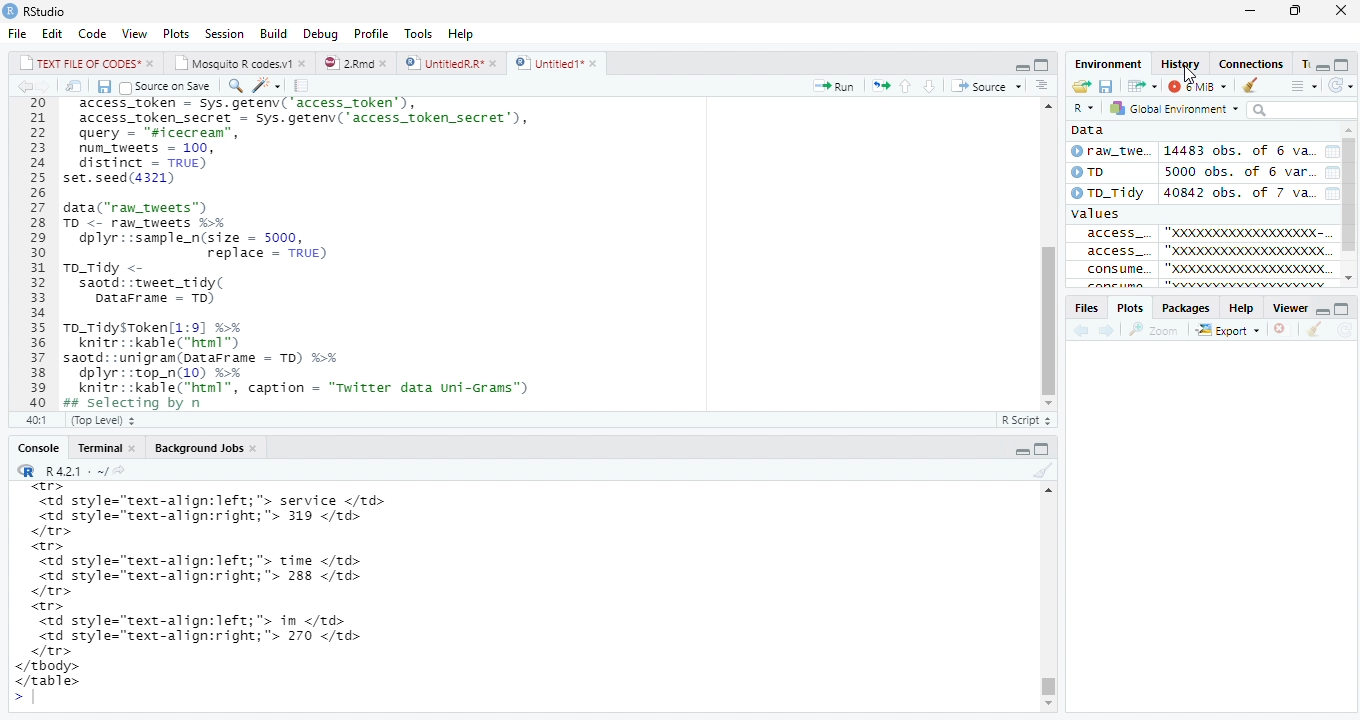  I want to click on Build, so click(272, 32).